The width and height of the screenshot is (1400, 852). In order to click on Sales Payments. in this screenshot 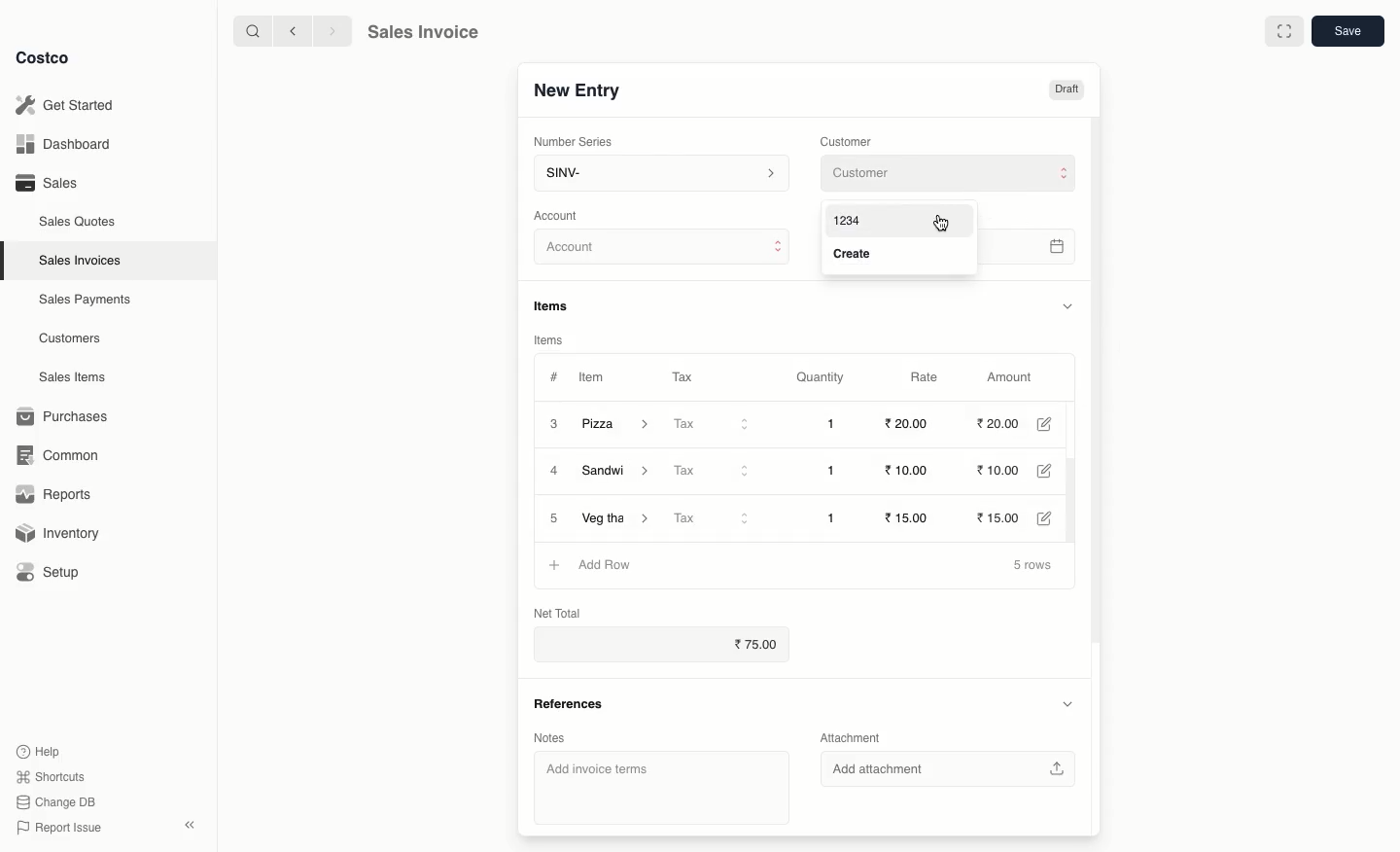, I will do `click(87, 302)`.